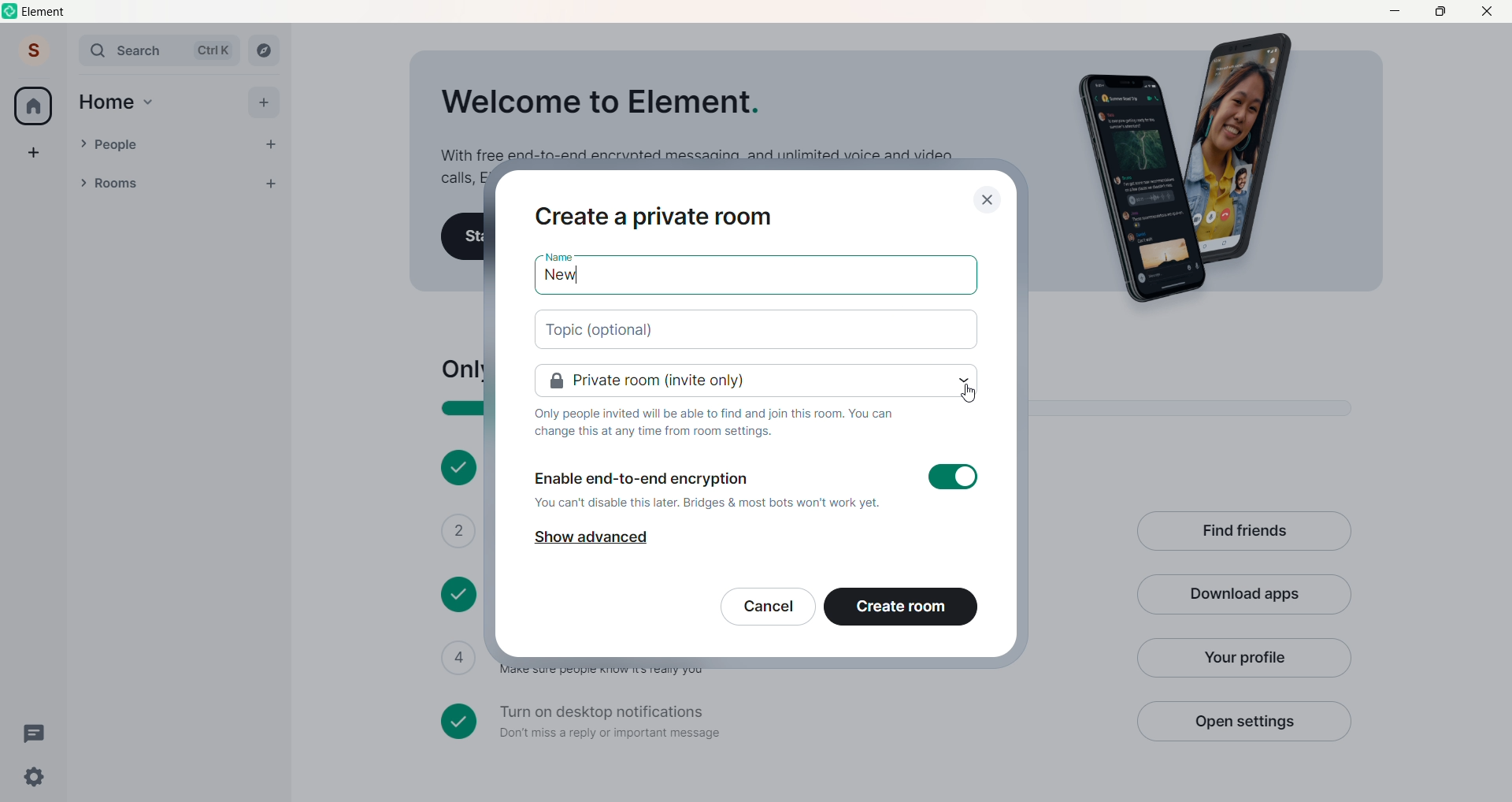  What do you see at coordinates (1244, 596) in the screenshot?
I see `Download APp` at bounding box center [1244, 596].